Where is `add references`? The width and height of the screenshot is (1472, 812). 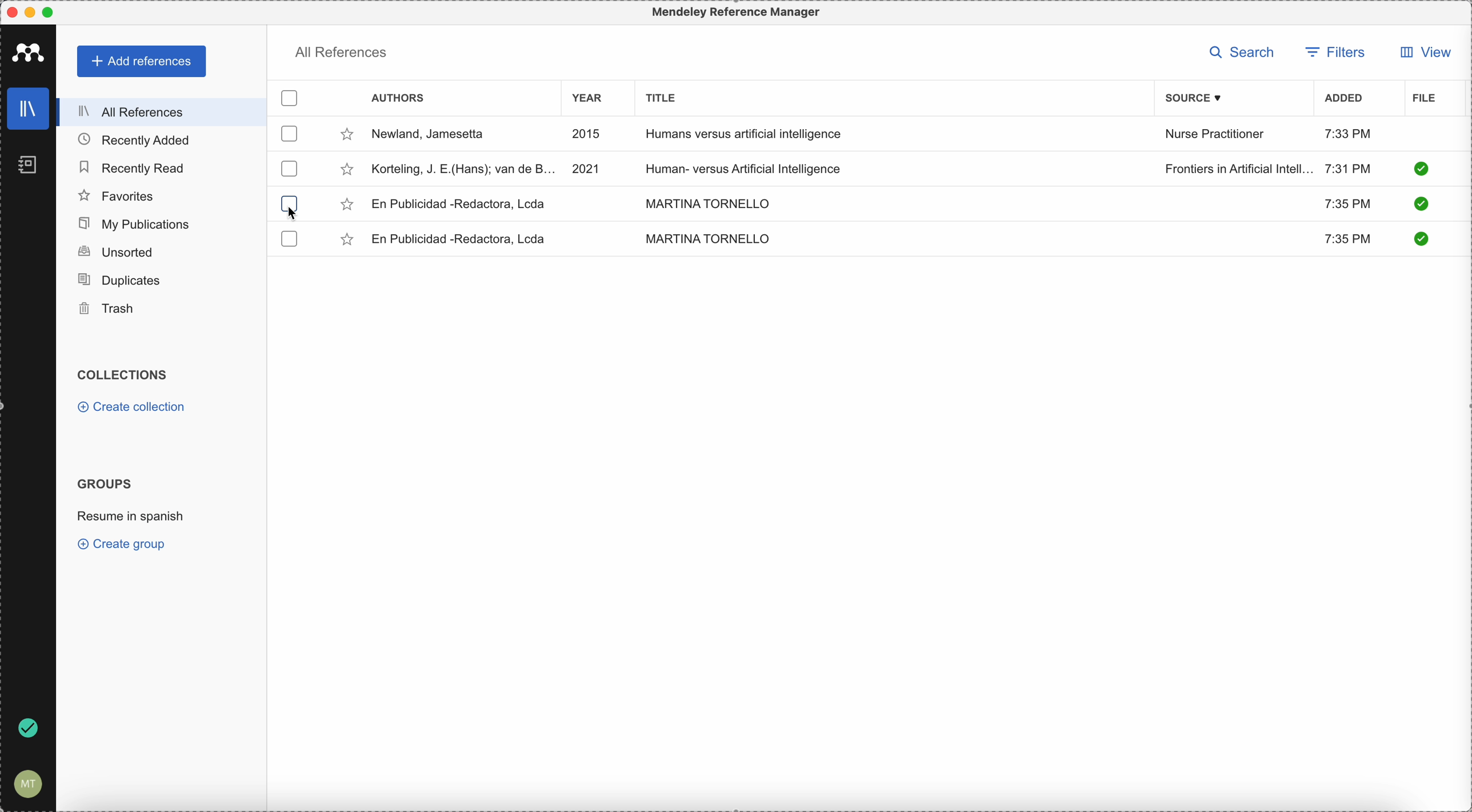 add references is located at coordinates (143, 62).